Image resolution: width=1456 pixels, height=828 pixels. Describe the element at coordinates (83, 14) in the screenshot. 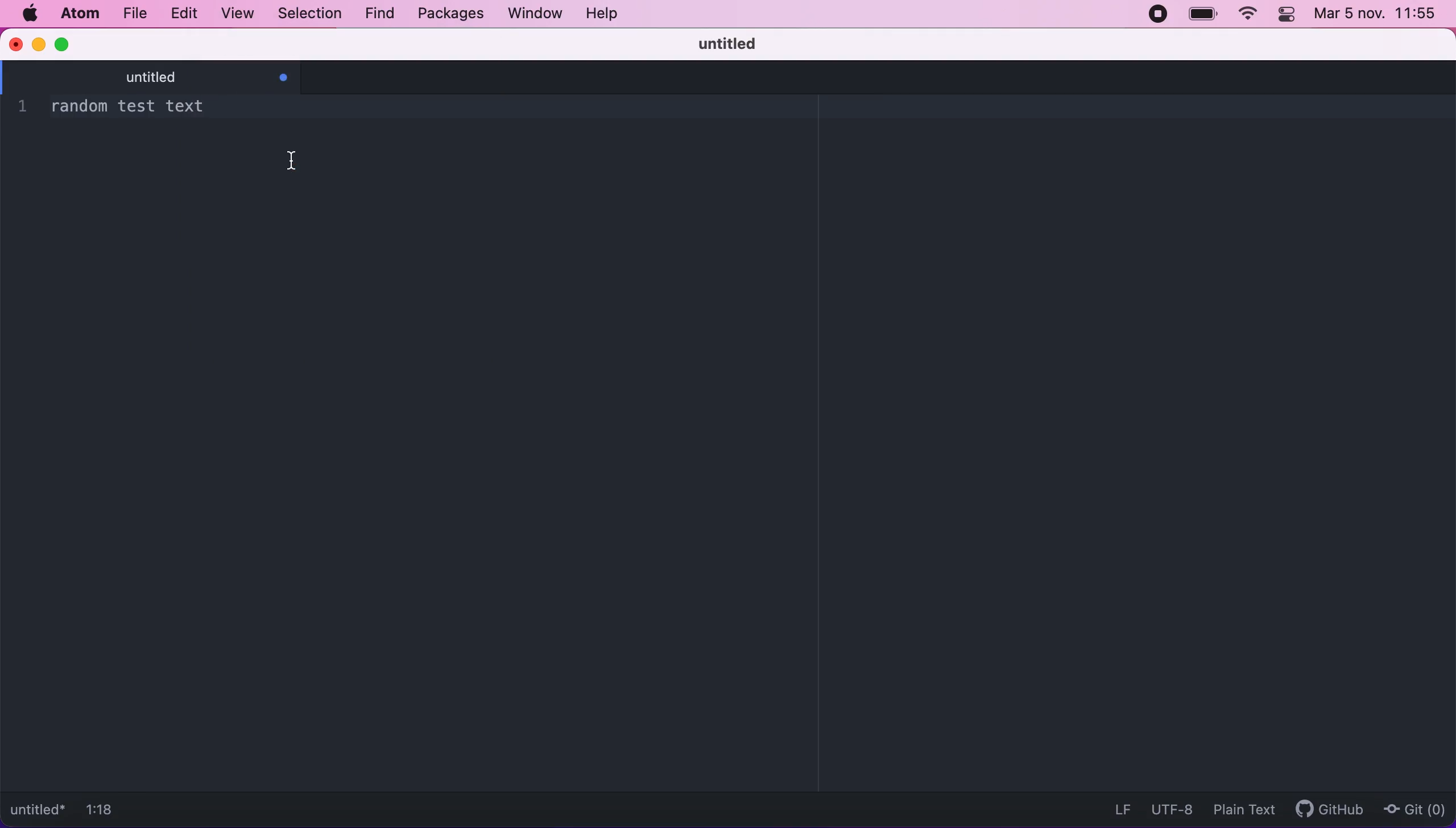

I see `atom` at that location.